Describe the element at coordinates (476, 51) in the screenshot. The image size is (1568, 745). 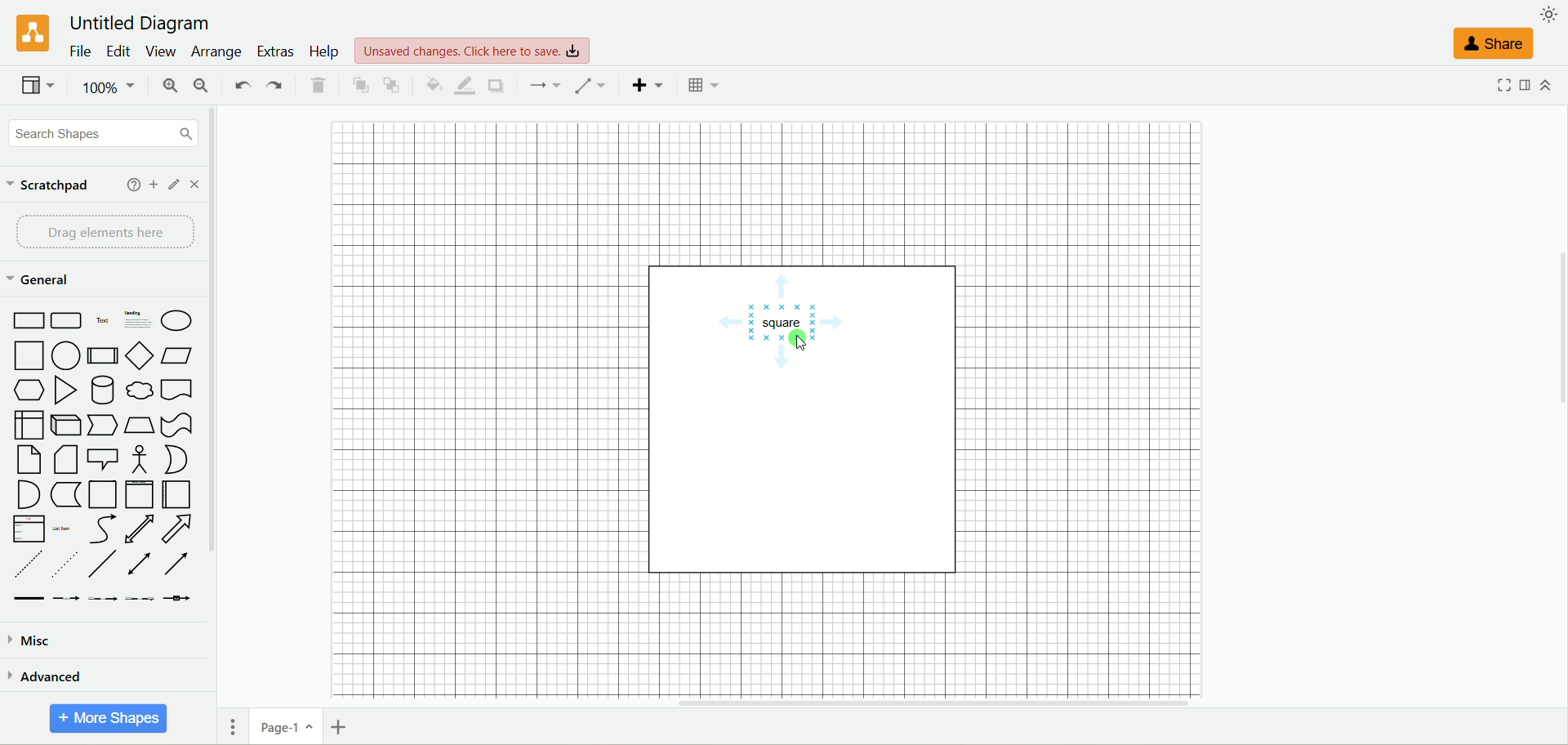
I see `text` at that location.